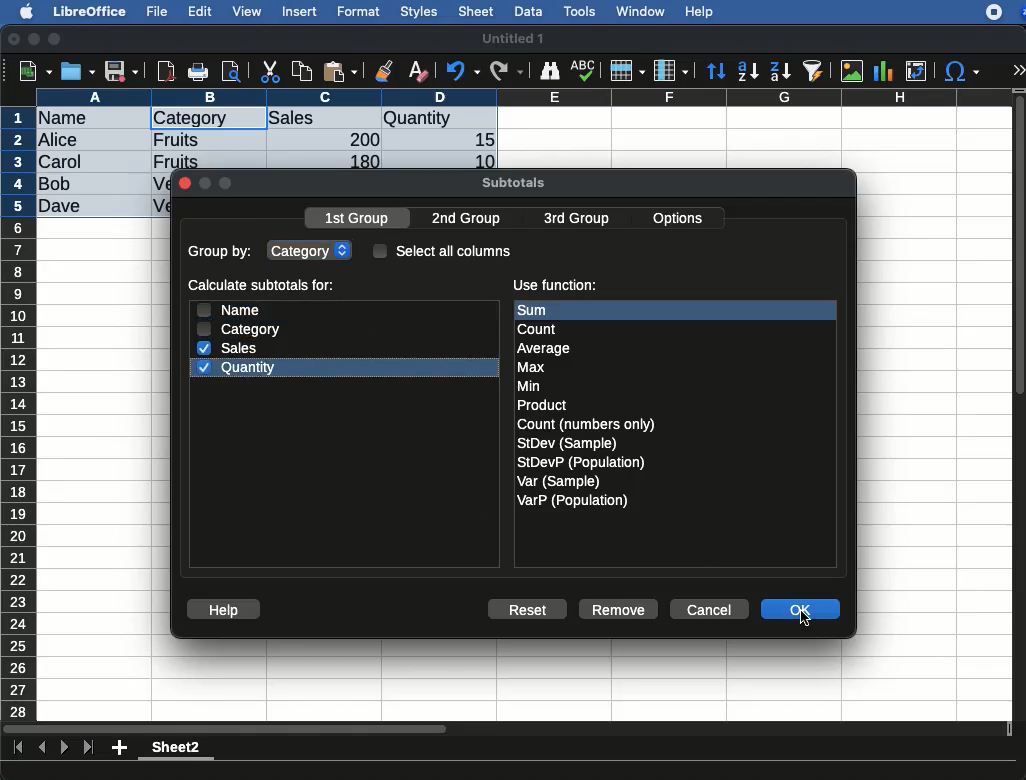  What do you see at coordinates (781, 72) in the screenshot?
I see `descending` at bounding box center [781, 72].